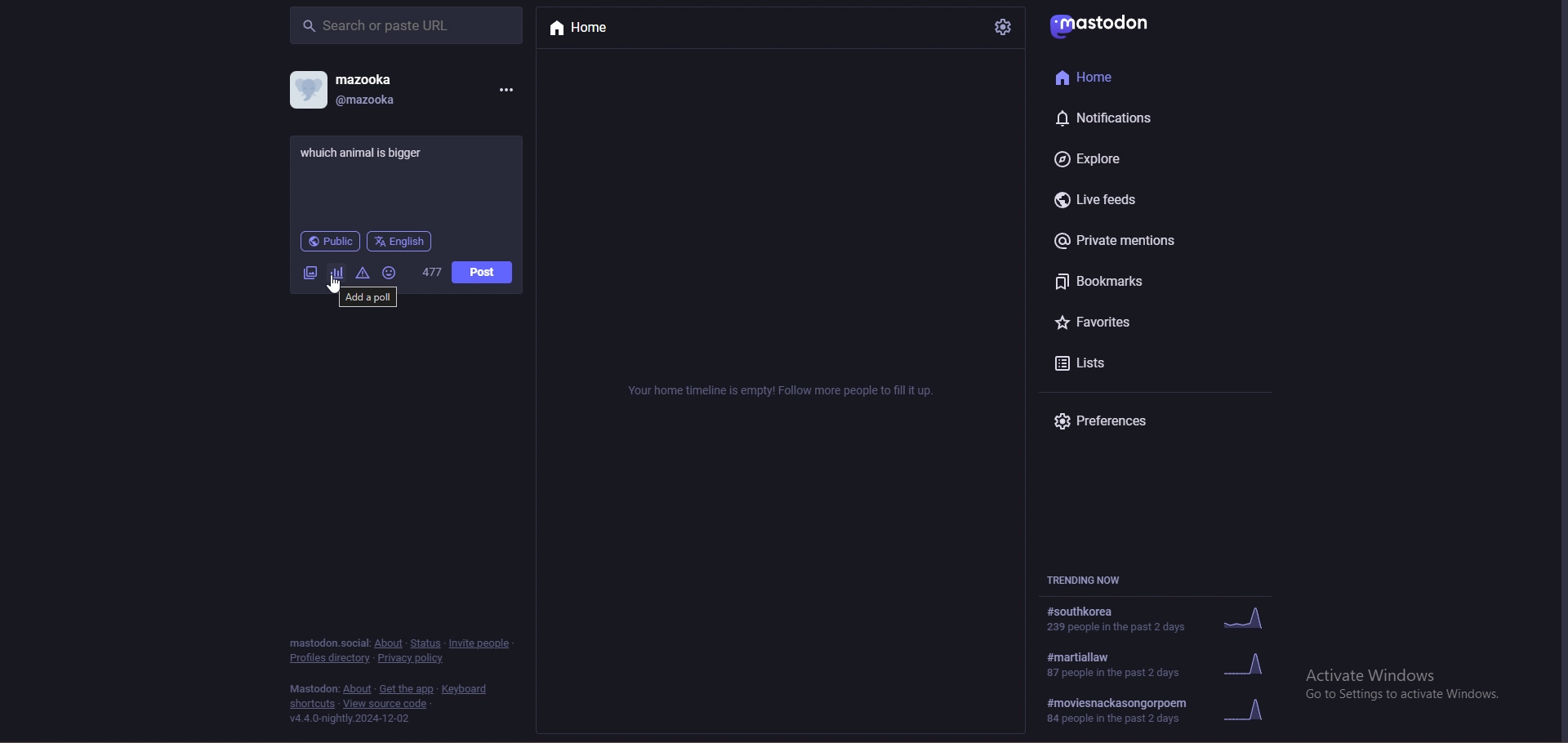 The width and height of the screenshot is (1568, 743). What do you see at coordinates (1119, 422) in the screenshot?
I see `preferences` at bounding box center [1119, 422].